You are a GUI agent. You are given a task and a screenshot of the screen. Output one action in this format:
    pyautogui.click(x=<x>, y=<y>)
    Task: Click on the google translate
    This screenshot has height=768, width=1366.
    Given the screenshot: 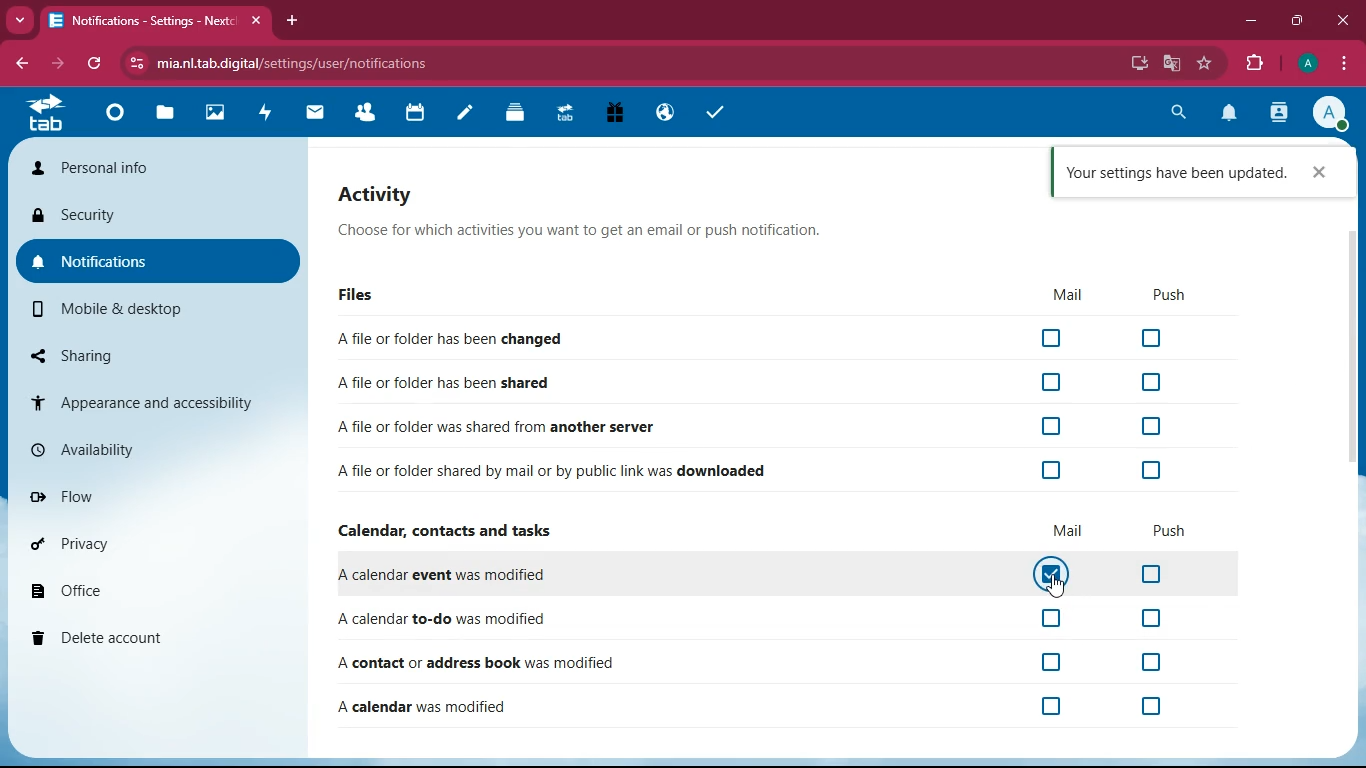 What is the action you would take?
    pyautogui.click(x=1174, y=61)
    